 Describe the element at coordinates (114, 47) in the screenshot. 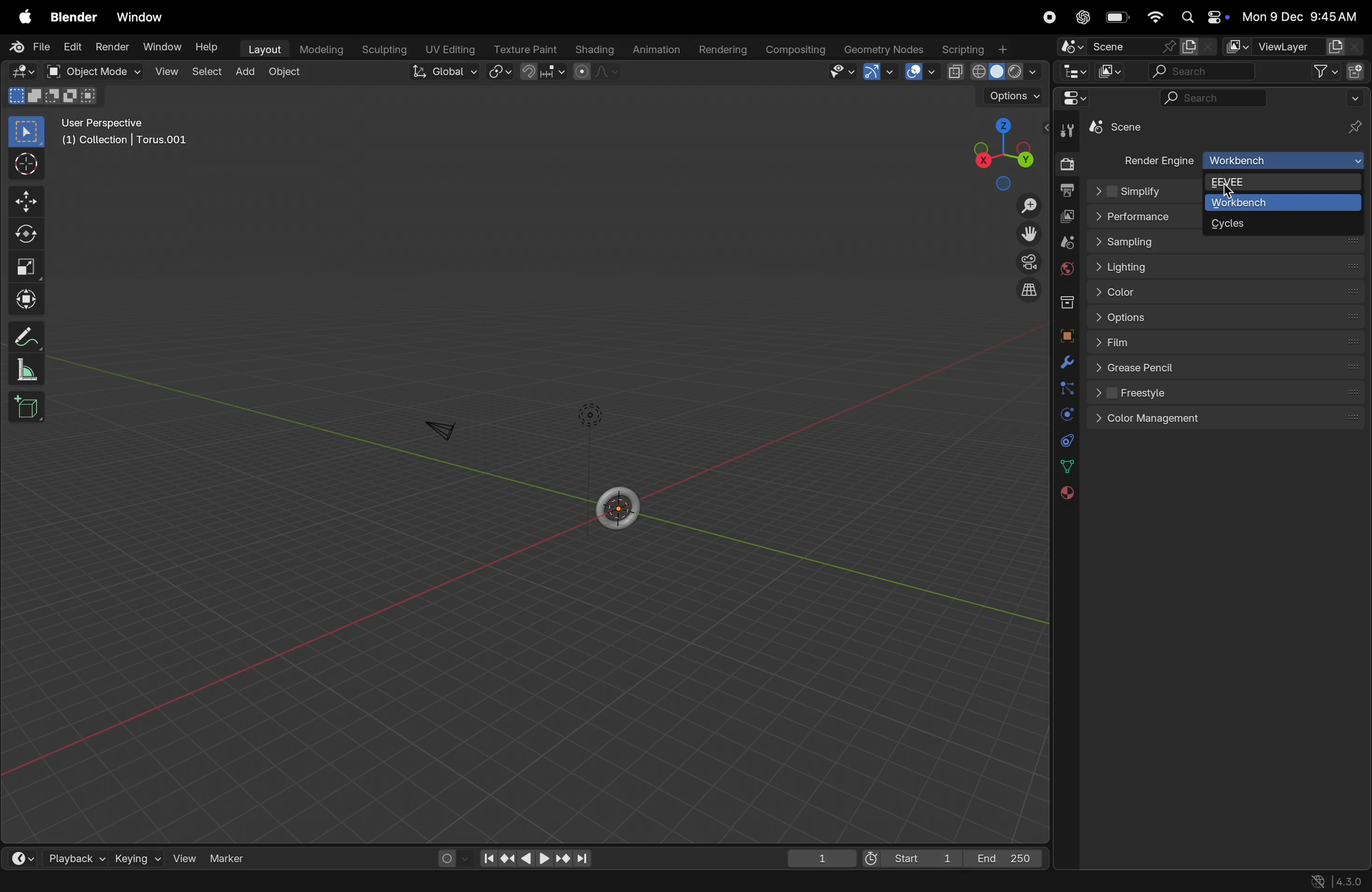

I see `render` at that location.